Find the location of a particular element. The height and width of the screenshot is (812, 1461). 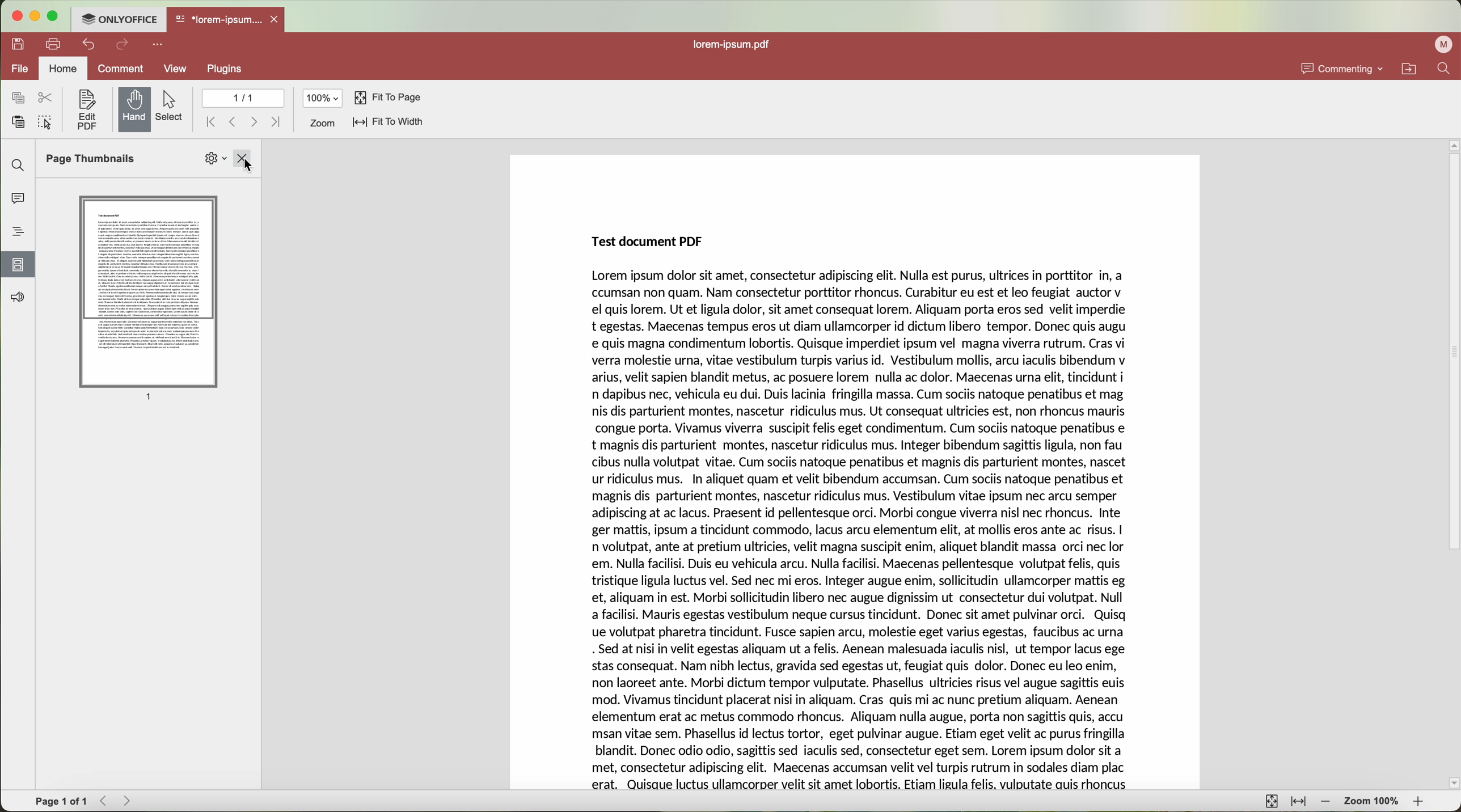

Page 1 of 1 is located at coordinates (60, 801).